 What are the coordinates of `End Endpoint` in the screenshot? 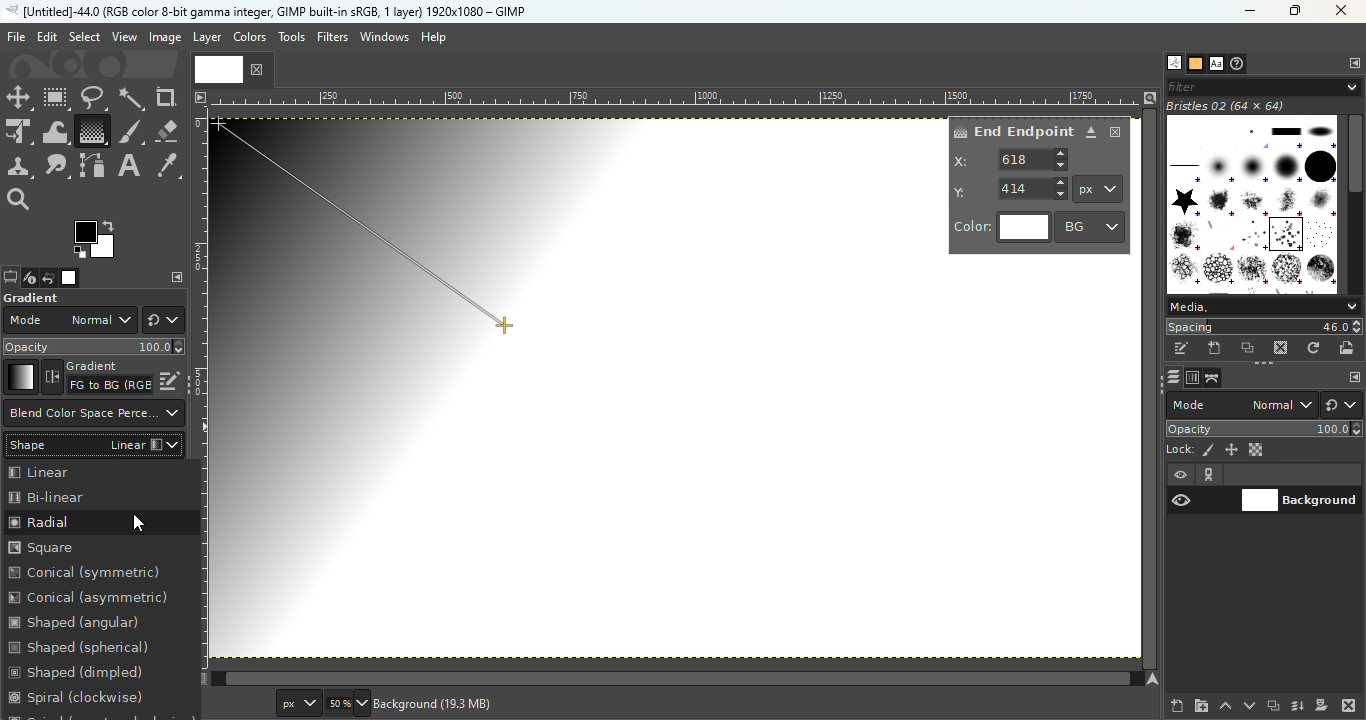 It's located at (1012, 130).